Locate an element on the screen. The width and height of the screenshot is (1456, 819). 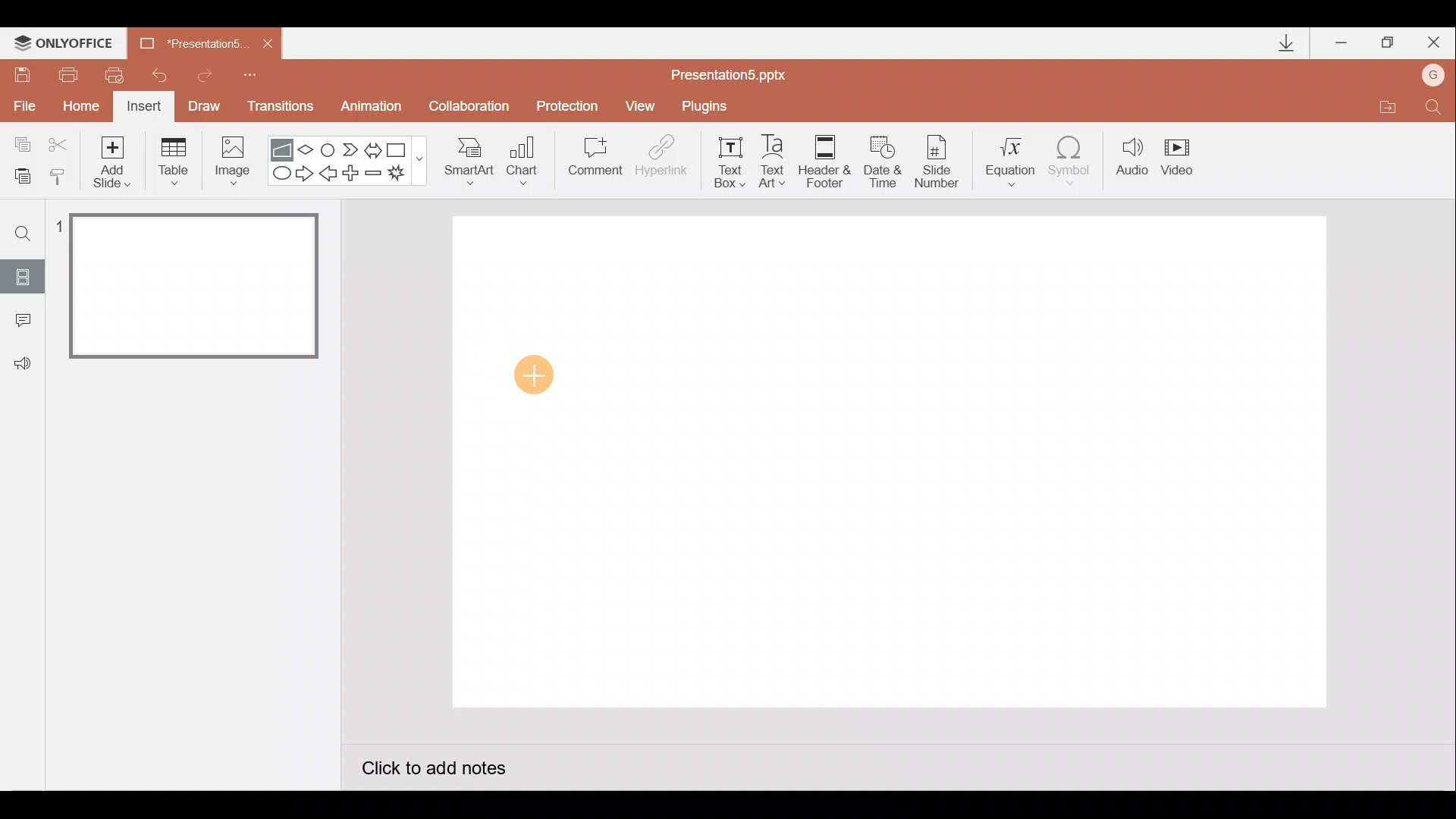
Minus is located at coordinates (375, 176).